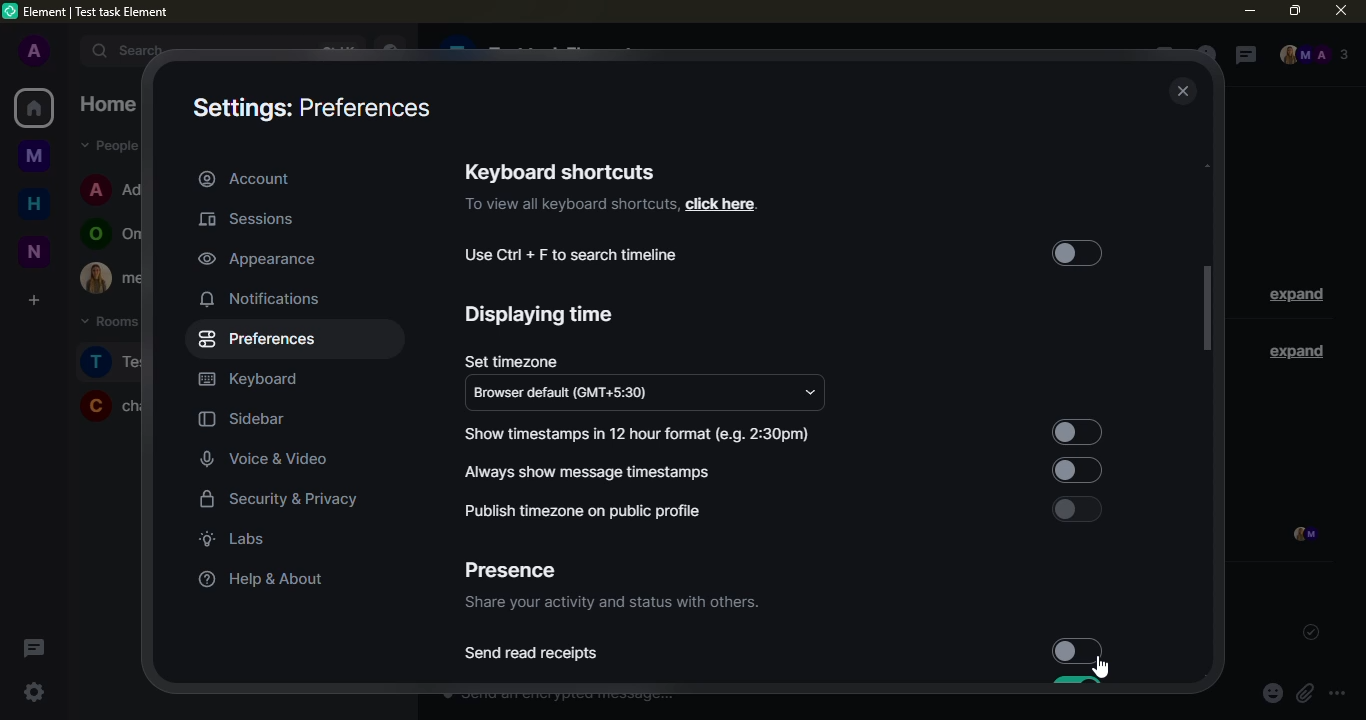 The width and height of the screenshot is (1366, 720). Describe the element at coordinates (509, 571) in the screenshot. I see `presence` at that location.